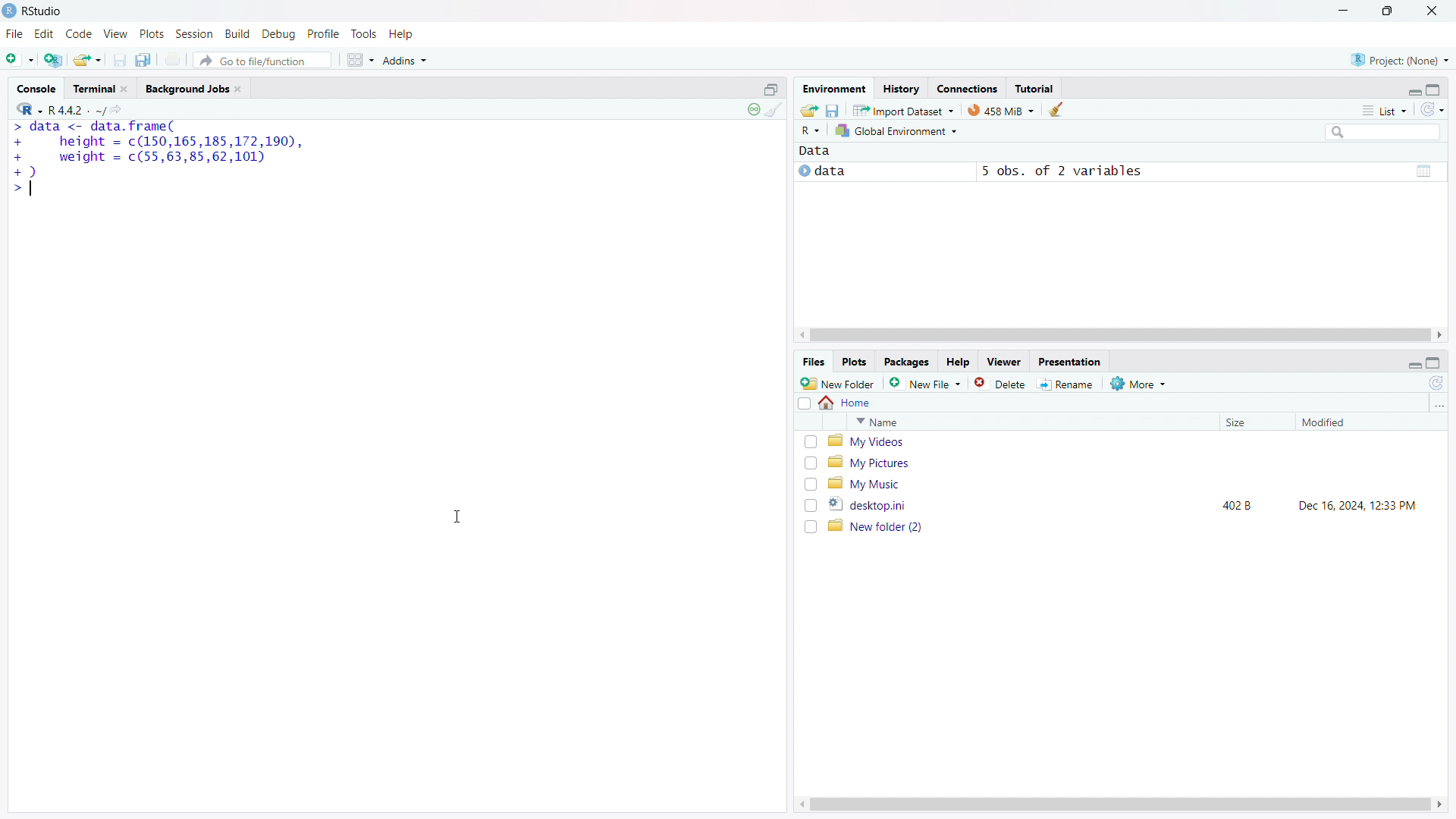 Image resolution: width=1456 pixels, height=819 pixels. Describe the element at coordinates (79, 34) in the screenshot. I see `code` at that location.